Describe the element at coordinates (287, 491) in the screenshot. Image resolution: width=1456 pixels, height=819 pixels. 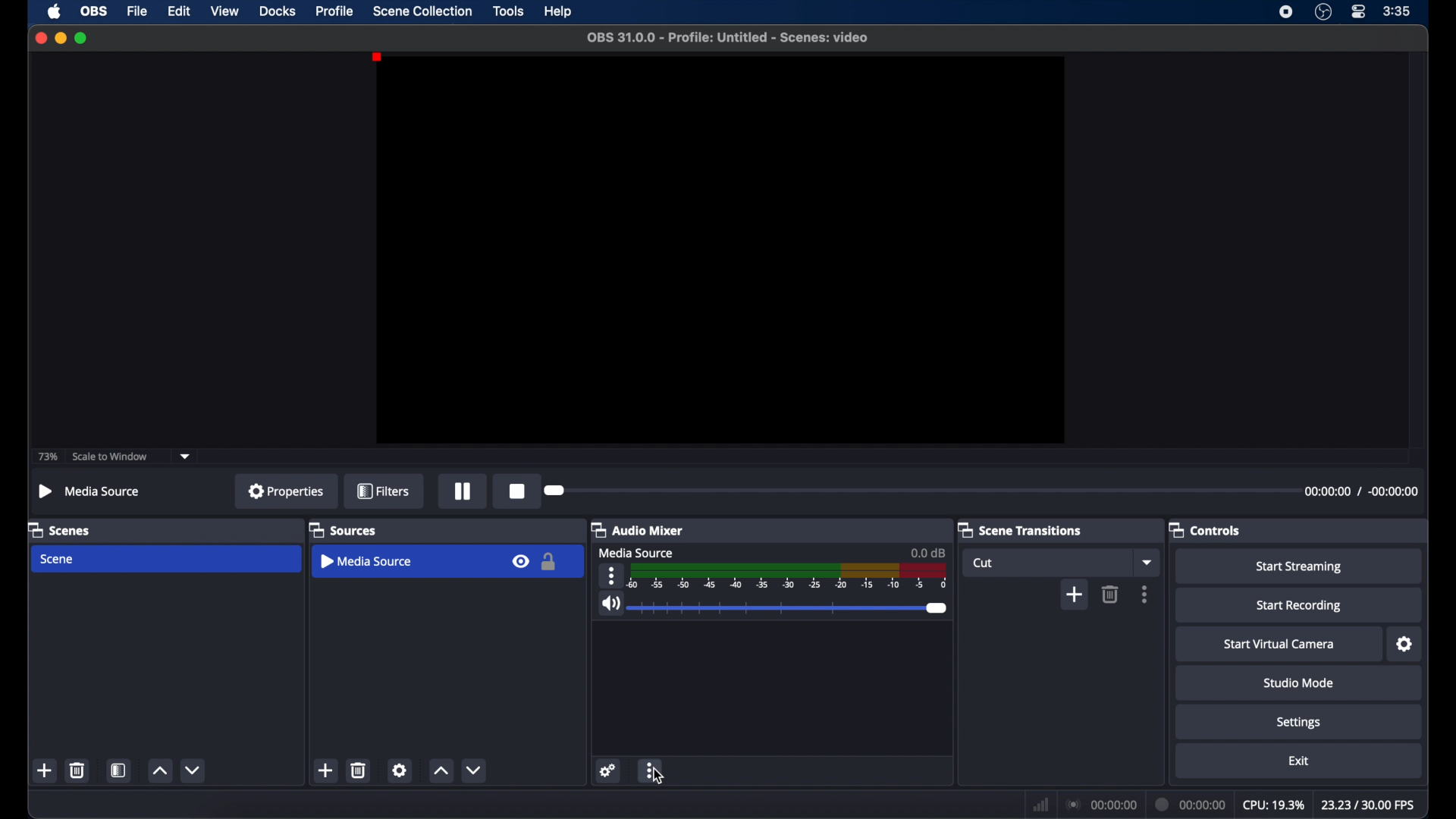
I see `properties` at that location.